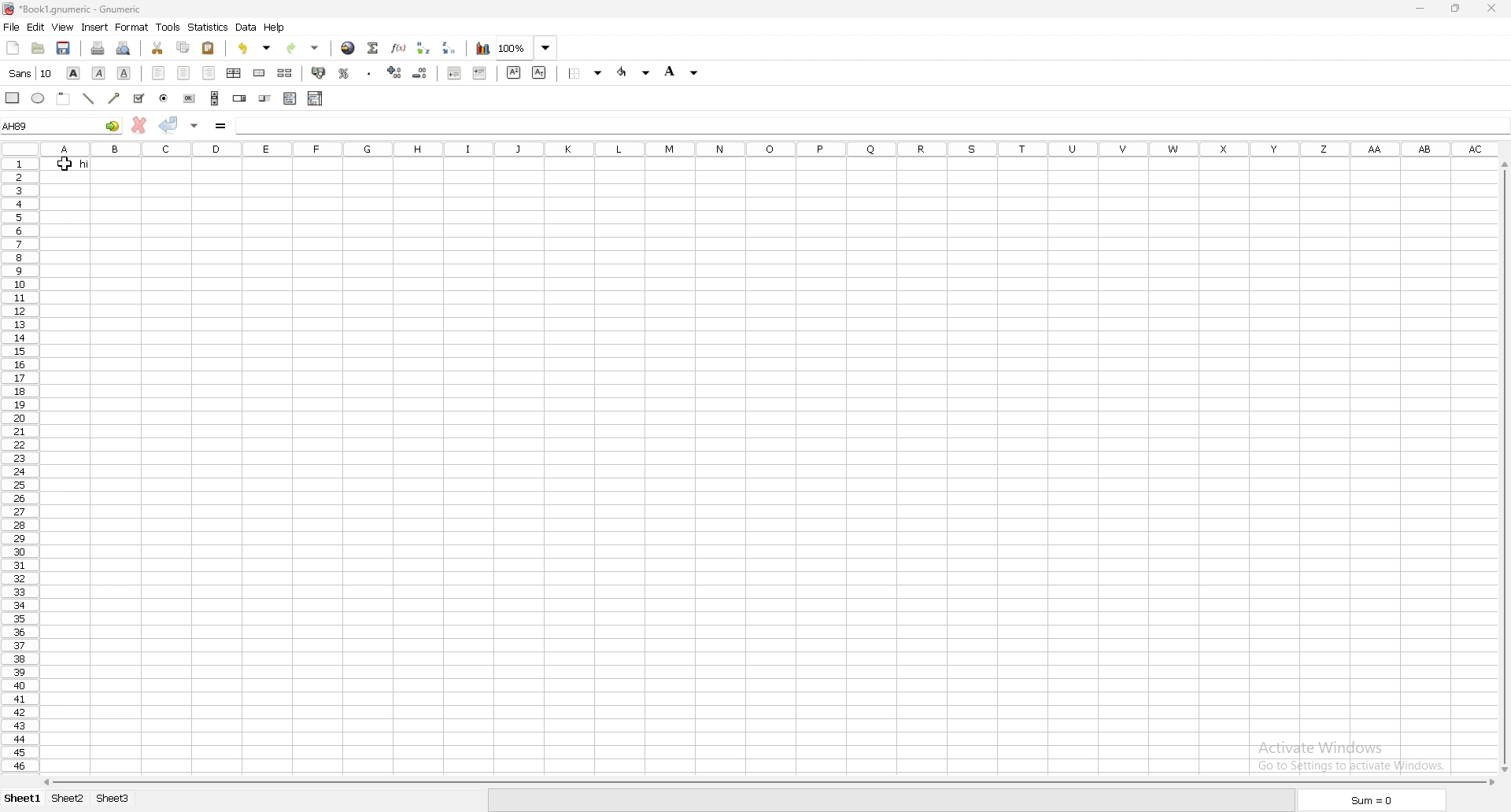 The width and height of the screenshot is (1511, 812). I want to click on hi, so click(65, 164).